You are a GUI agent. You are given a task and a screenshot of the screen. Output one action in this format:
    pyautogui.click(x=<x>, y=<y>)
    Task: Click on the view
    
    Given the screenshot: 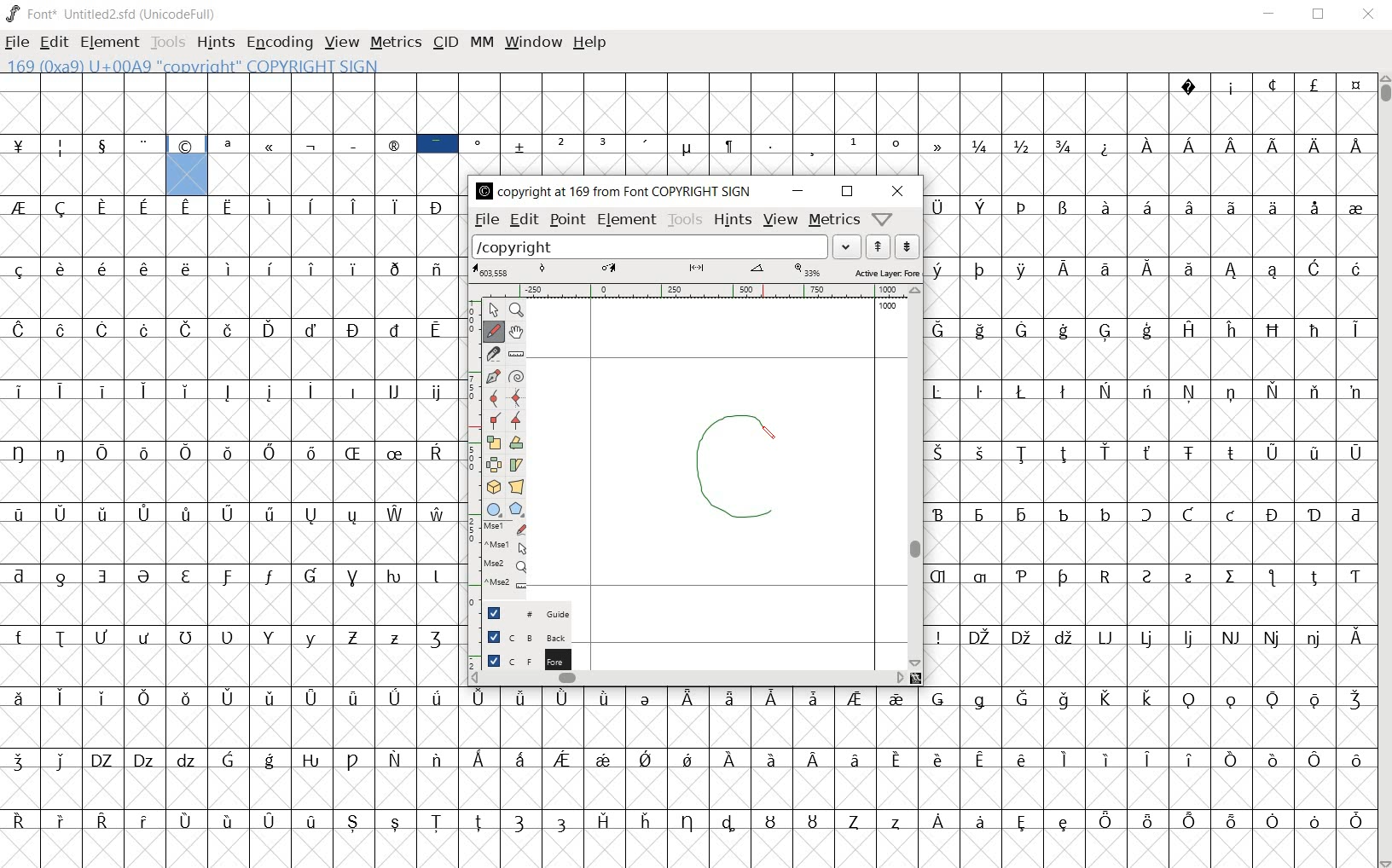 What is the action you would take?
    pyautogui.click(x=781, y=222)
    